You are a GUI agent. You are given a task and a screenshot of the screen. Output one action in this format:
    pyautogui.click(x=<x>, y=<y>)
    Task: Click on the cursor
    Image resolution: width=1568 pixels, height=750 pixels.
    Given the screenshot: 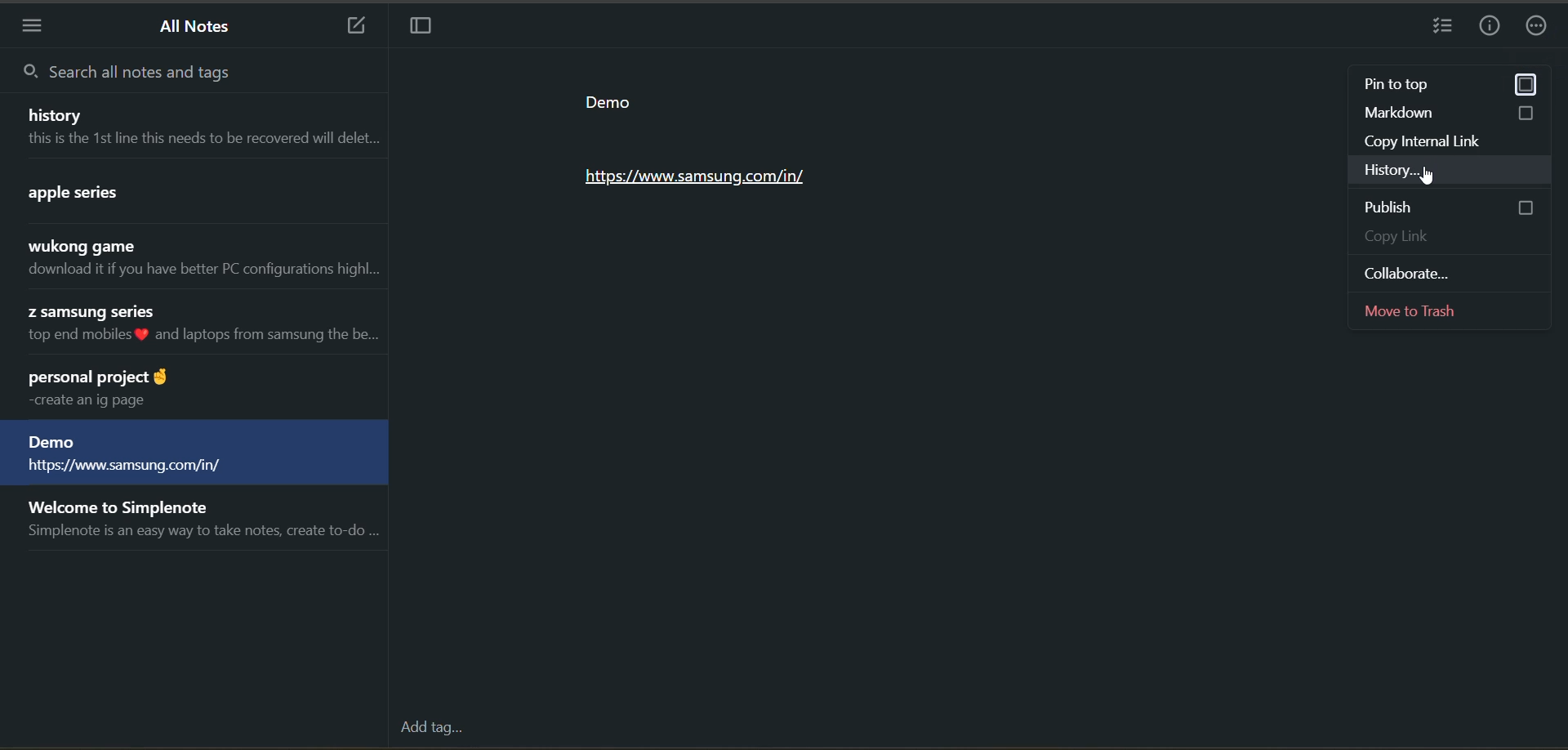 What is the action you would take?
    pyautogui.click(x=1426, y=176)
    